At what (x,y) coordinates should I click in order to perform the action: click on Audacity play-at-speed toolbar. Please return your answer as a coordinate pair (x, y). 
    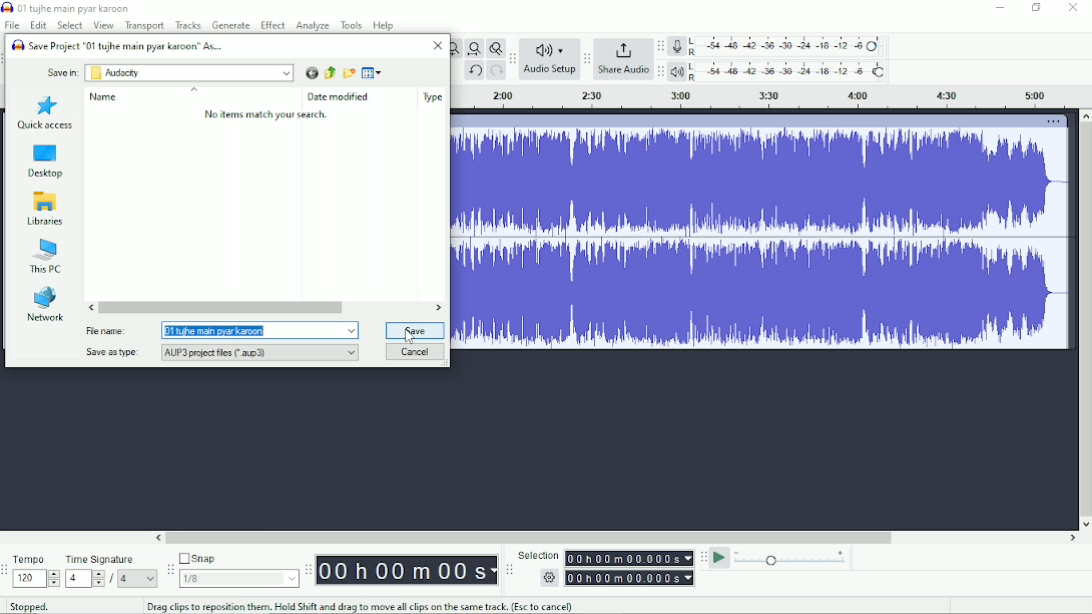
    Looking at the image, I should click on (703, 558).